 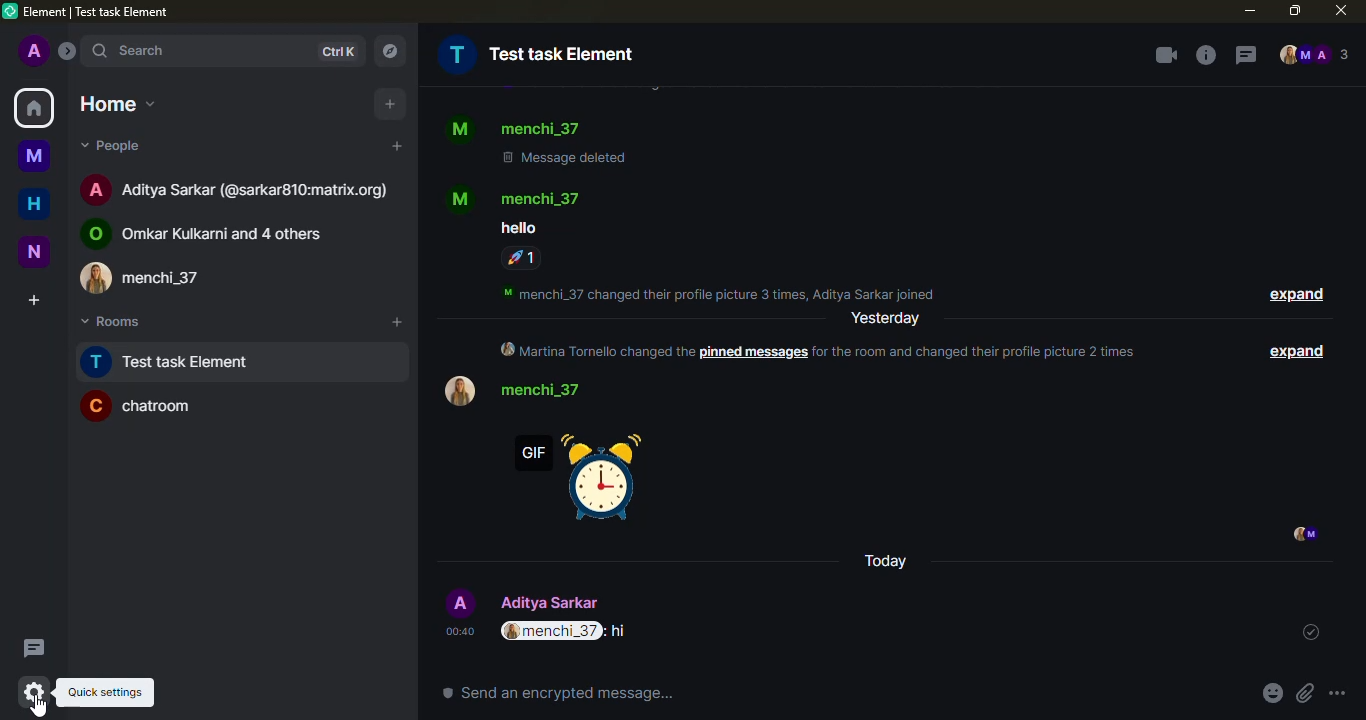 What do you see at coordinates (542, 129) in the screenshot?
I see `contact` at bounding box center [542, 129].